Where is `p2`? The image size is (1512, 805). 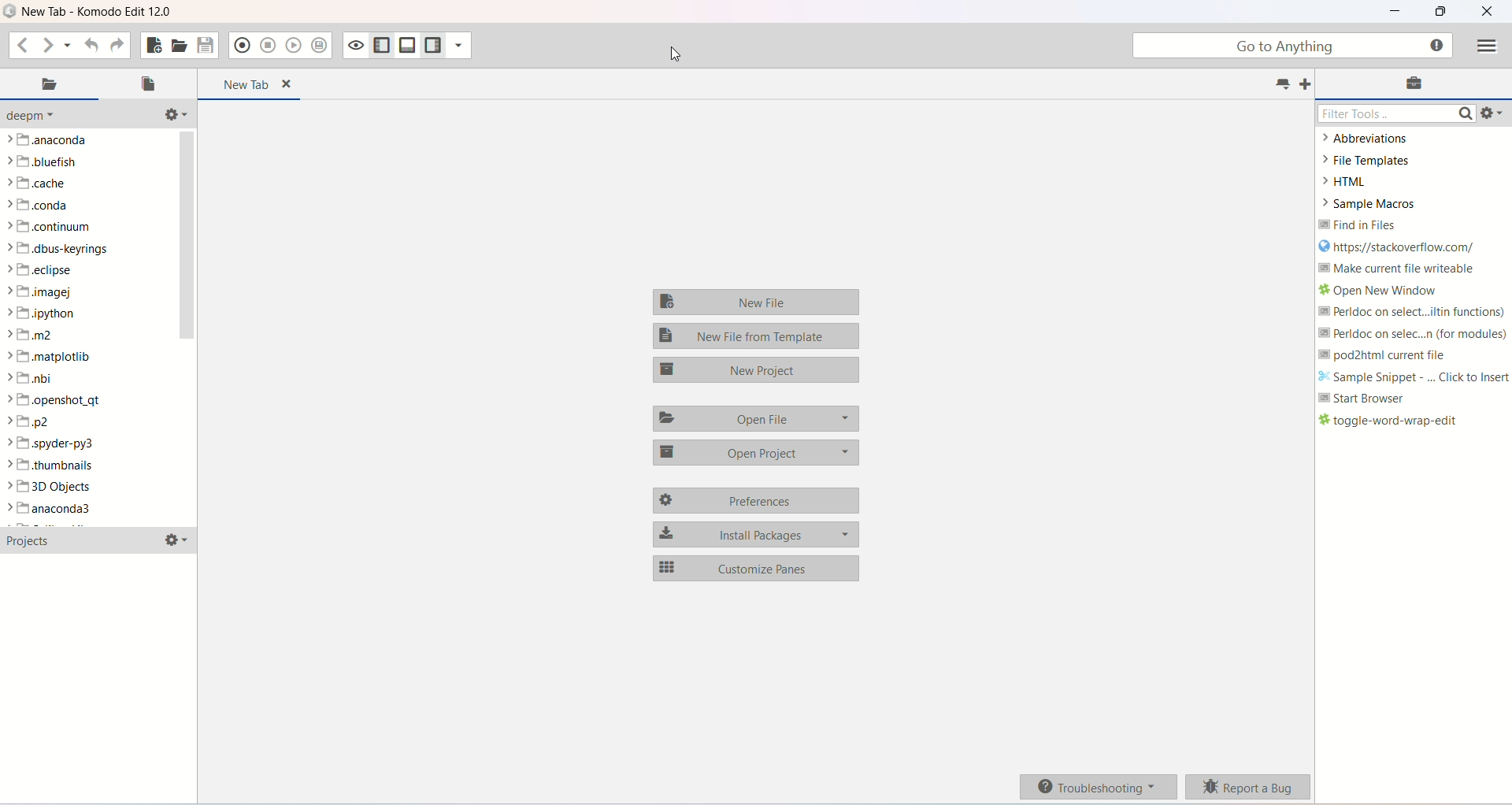
p2 is located at coordinates (31, 421).